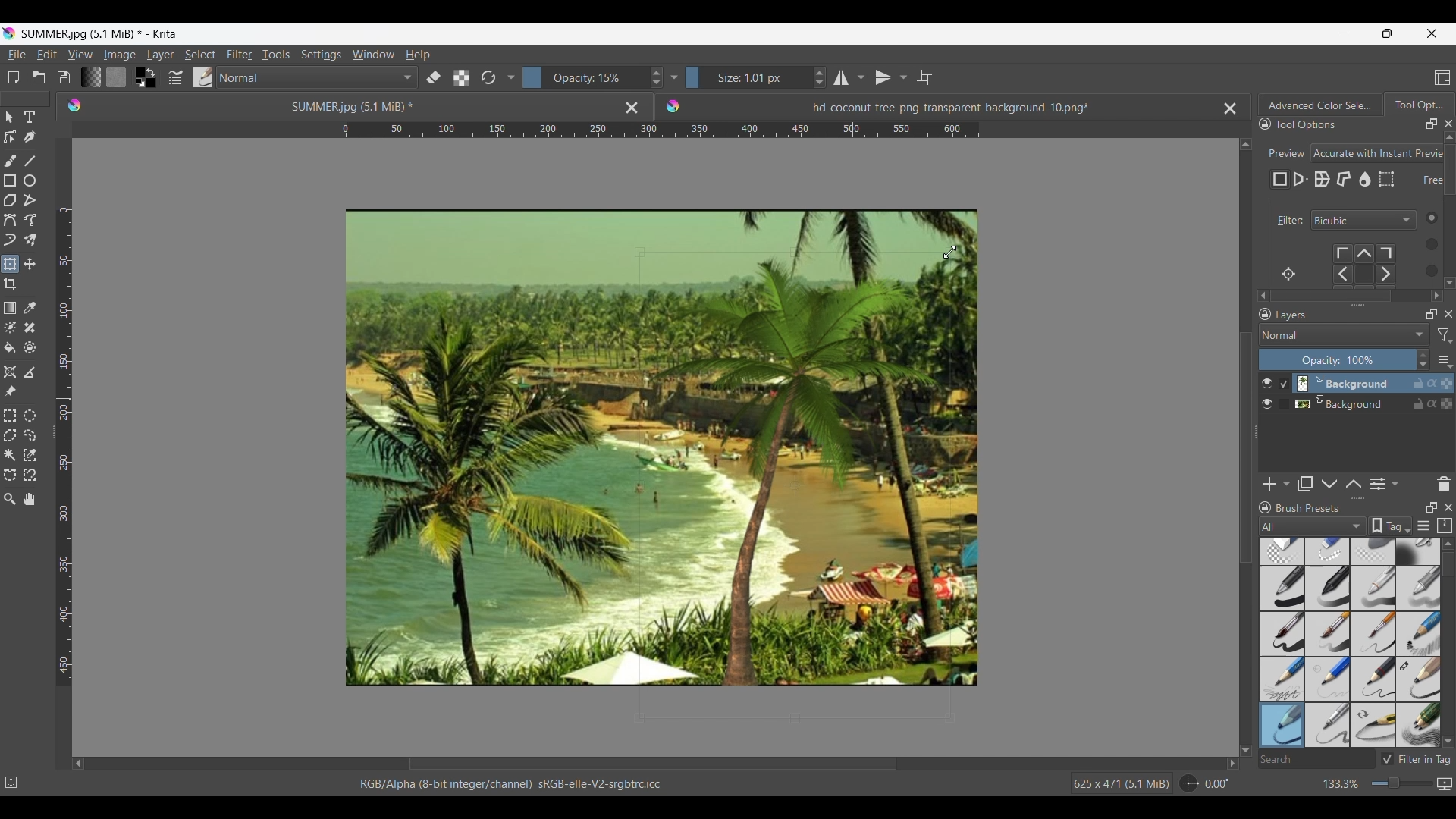  Describe the element at coordinates (1448, 741) in the screenshot. I see `Down` at that location.